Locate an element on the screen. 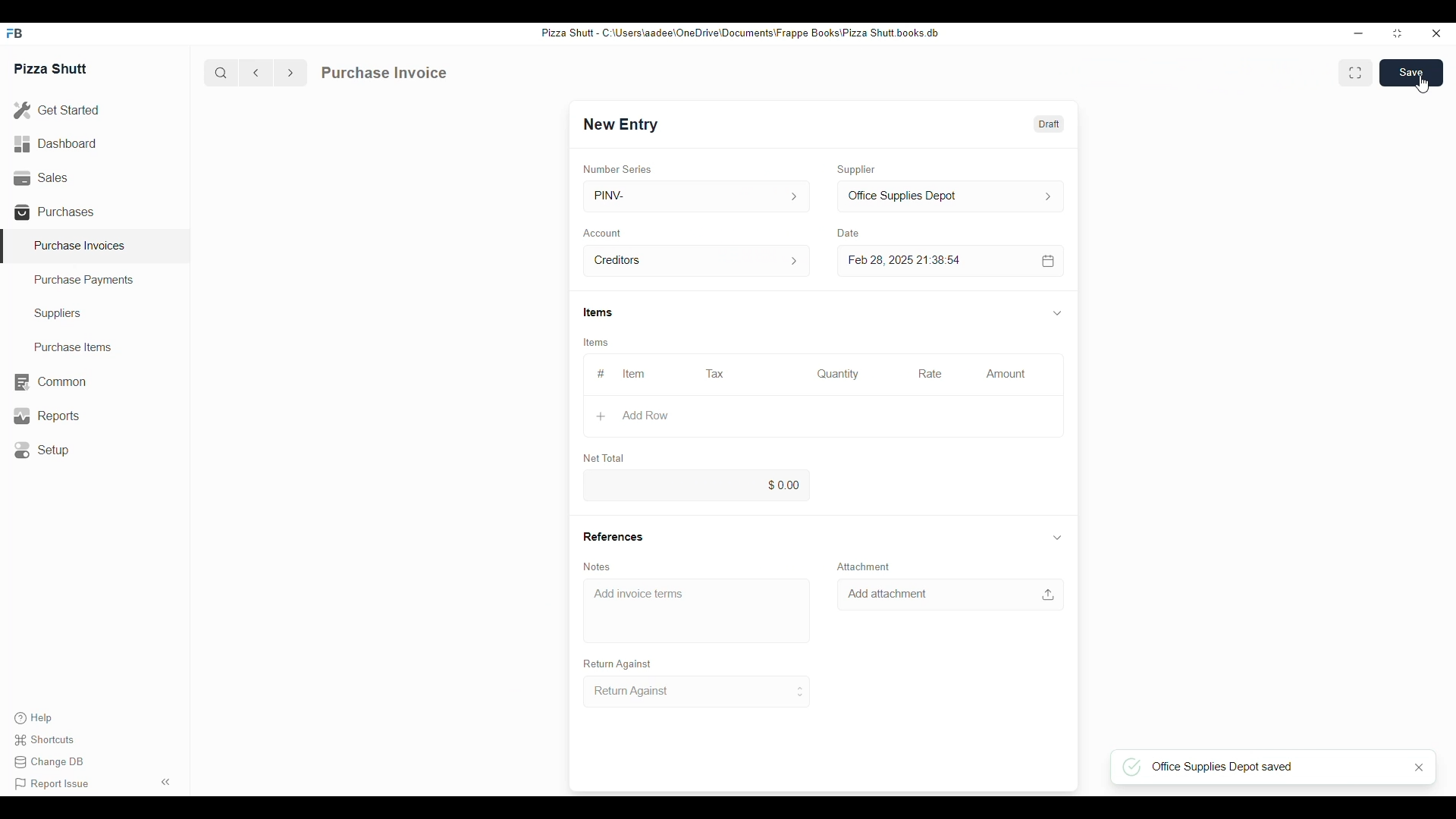 Image resolution: width=1456 pixels, height=819 pixels. Amount is located at coordinates (1006, 373).